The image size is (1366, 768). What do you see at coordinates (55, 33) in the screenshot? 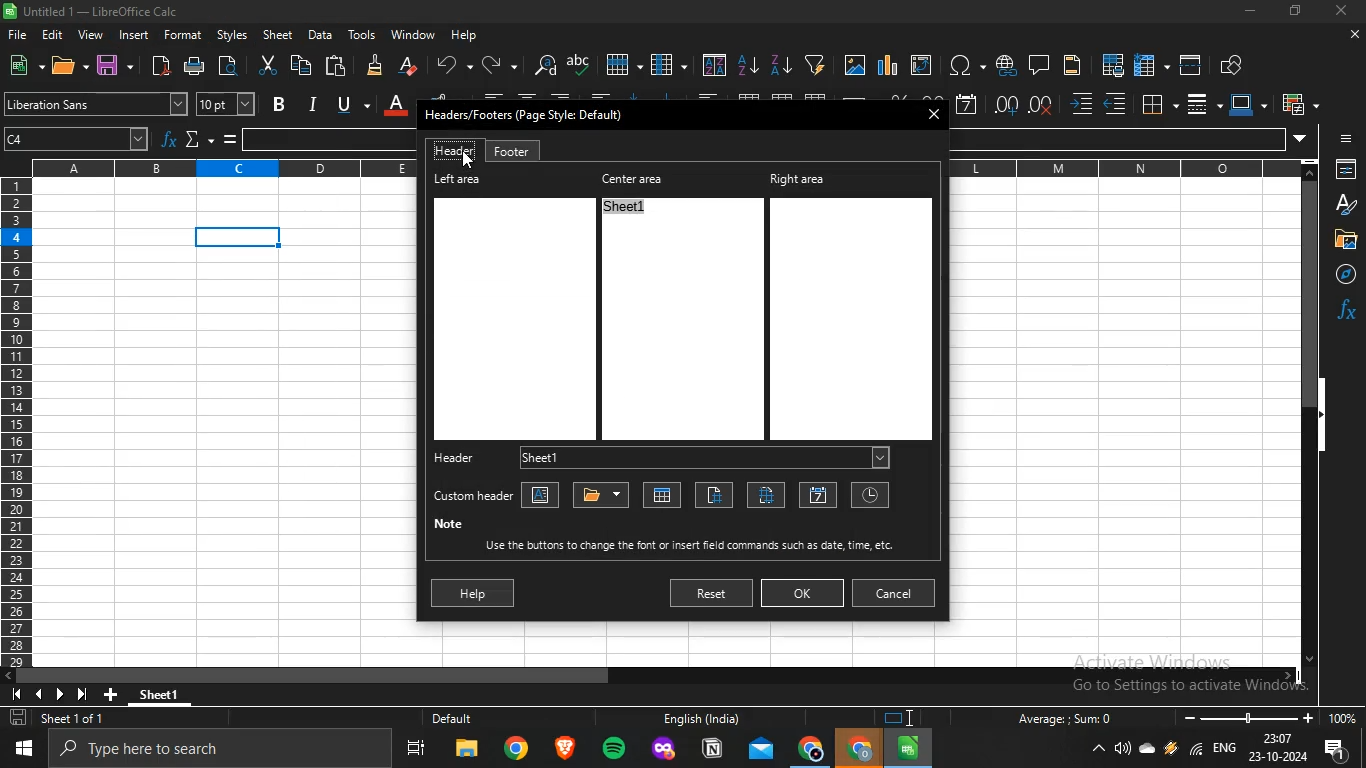
I see `edit` at bounding box center [55, 33].